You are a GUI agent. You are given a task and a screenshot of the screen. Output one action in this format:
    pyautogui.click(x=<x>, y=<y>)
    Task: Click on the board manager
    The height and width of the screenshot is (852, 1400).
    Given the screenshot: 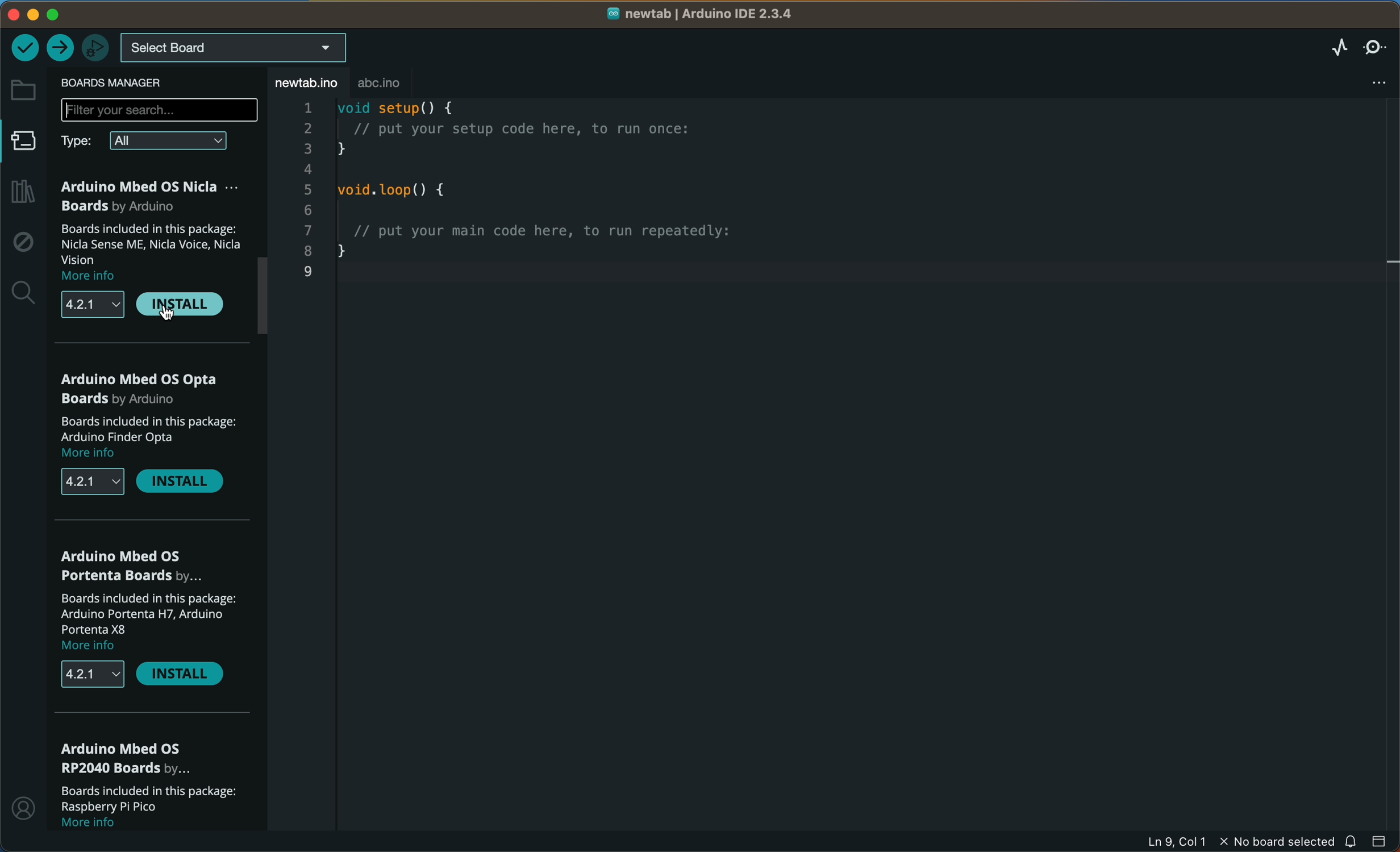 What is the action you would take?
    pyautogui.click(x=24, y=146)
    